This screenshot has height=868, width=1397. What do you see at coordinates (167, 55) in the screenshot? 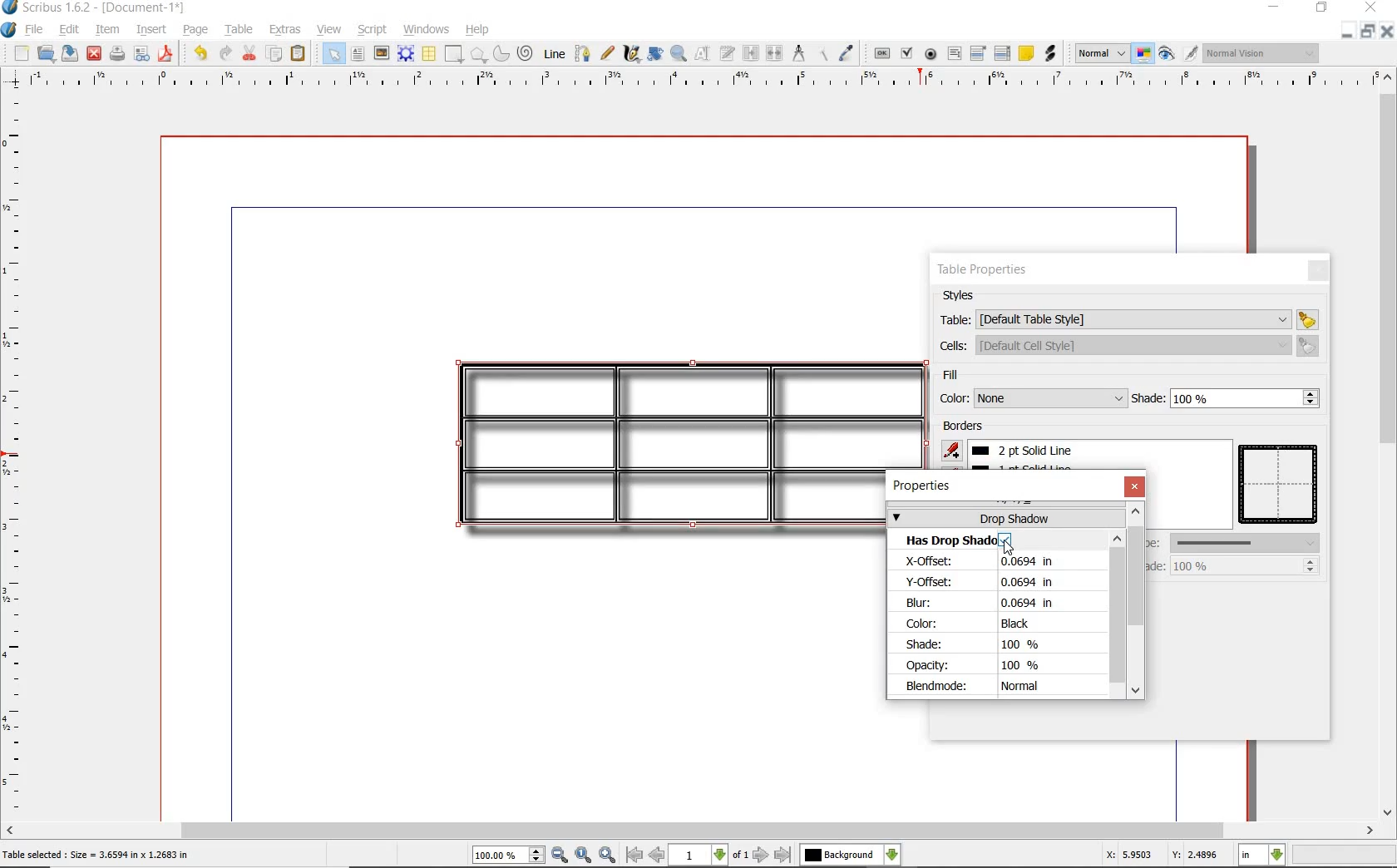
I see `save as pdf` at bounding box center [167, 55].